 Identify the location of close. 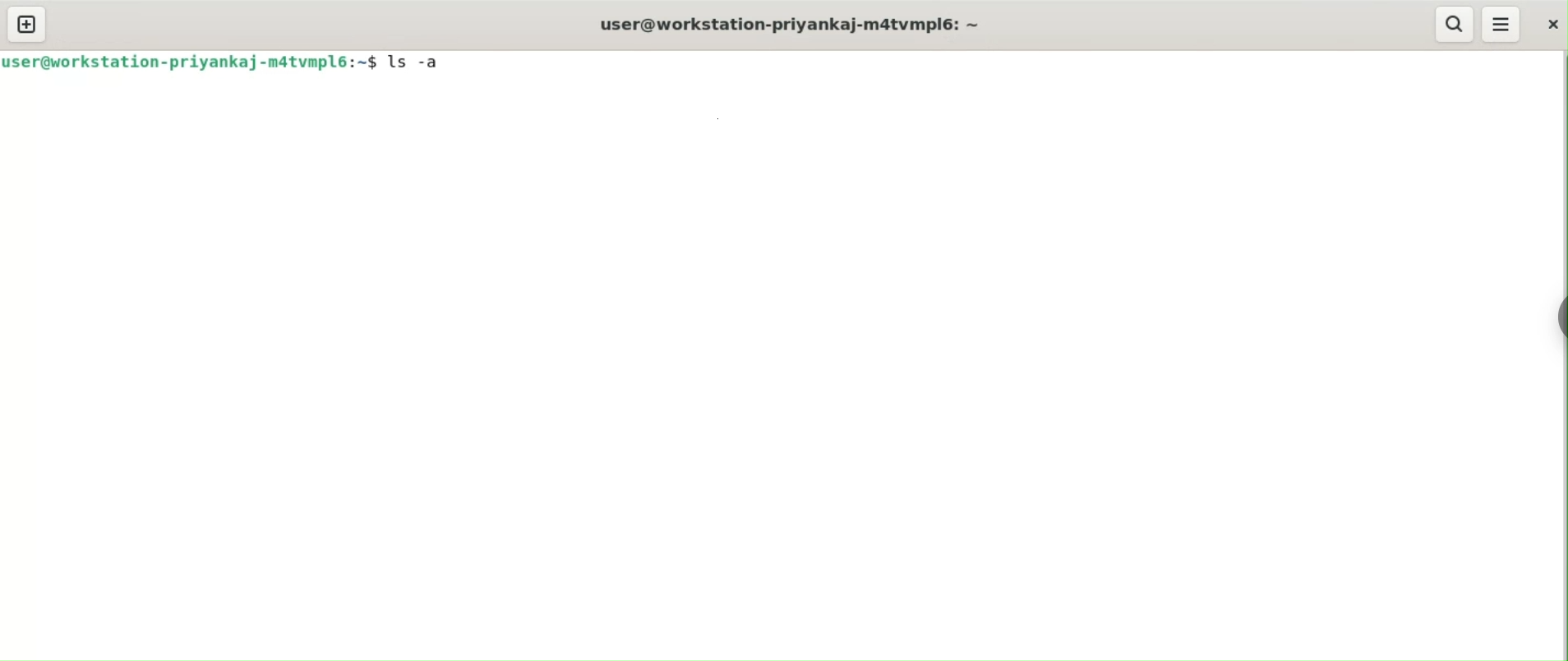
(1552, 25).